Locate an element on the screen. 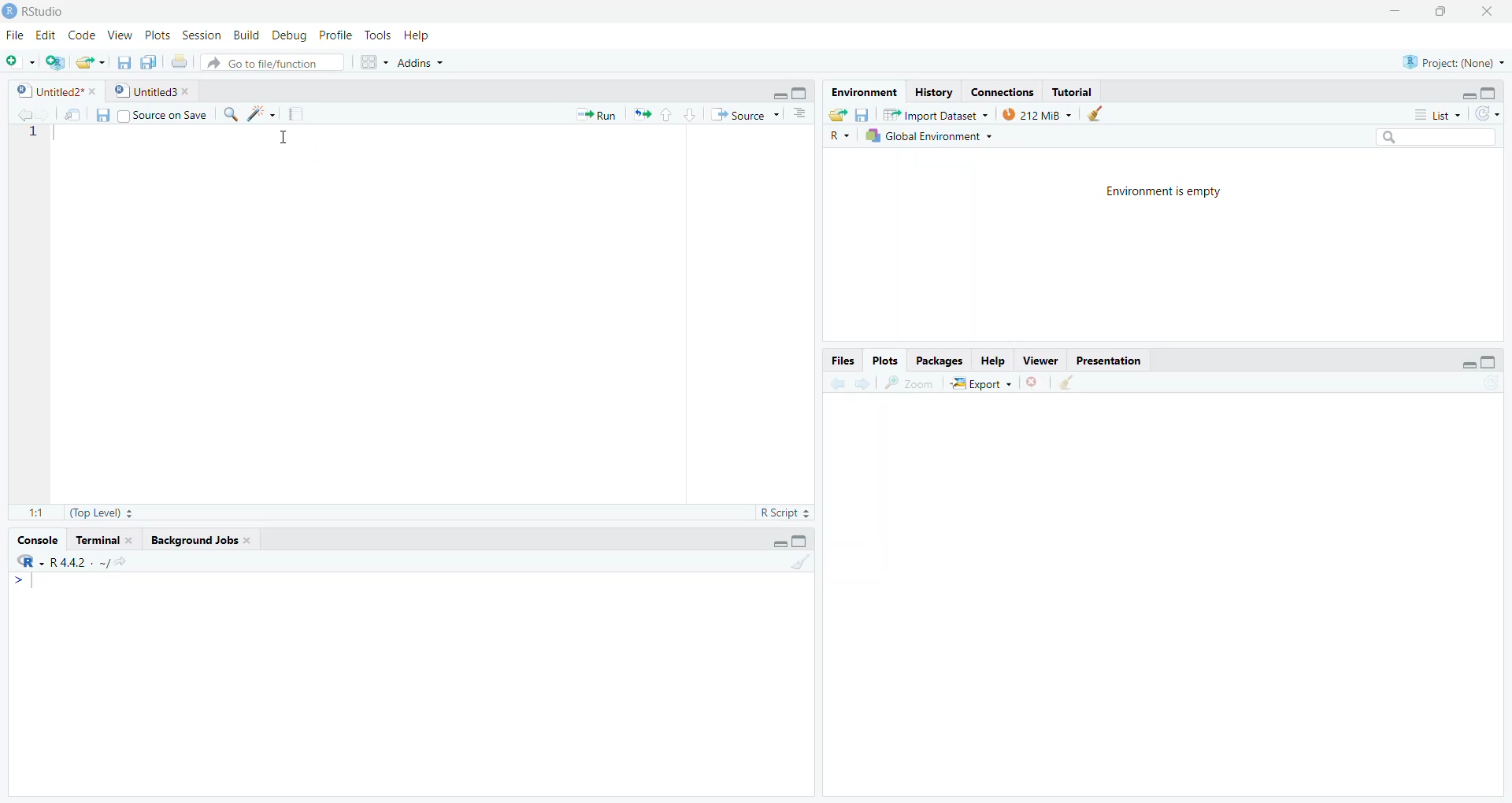 Image resolution: width=1512 pixels, height=803 pixels. view is located at coordinates (118, 35).